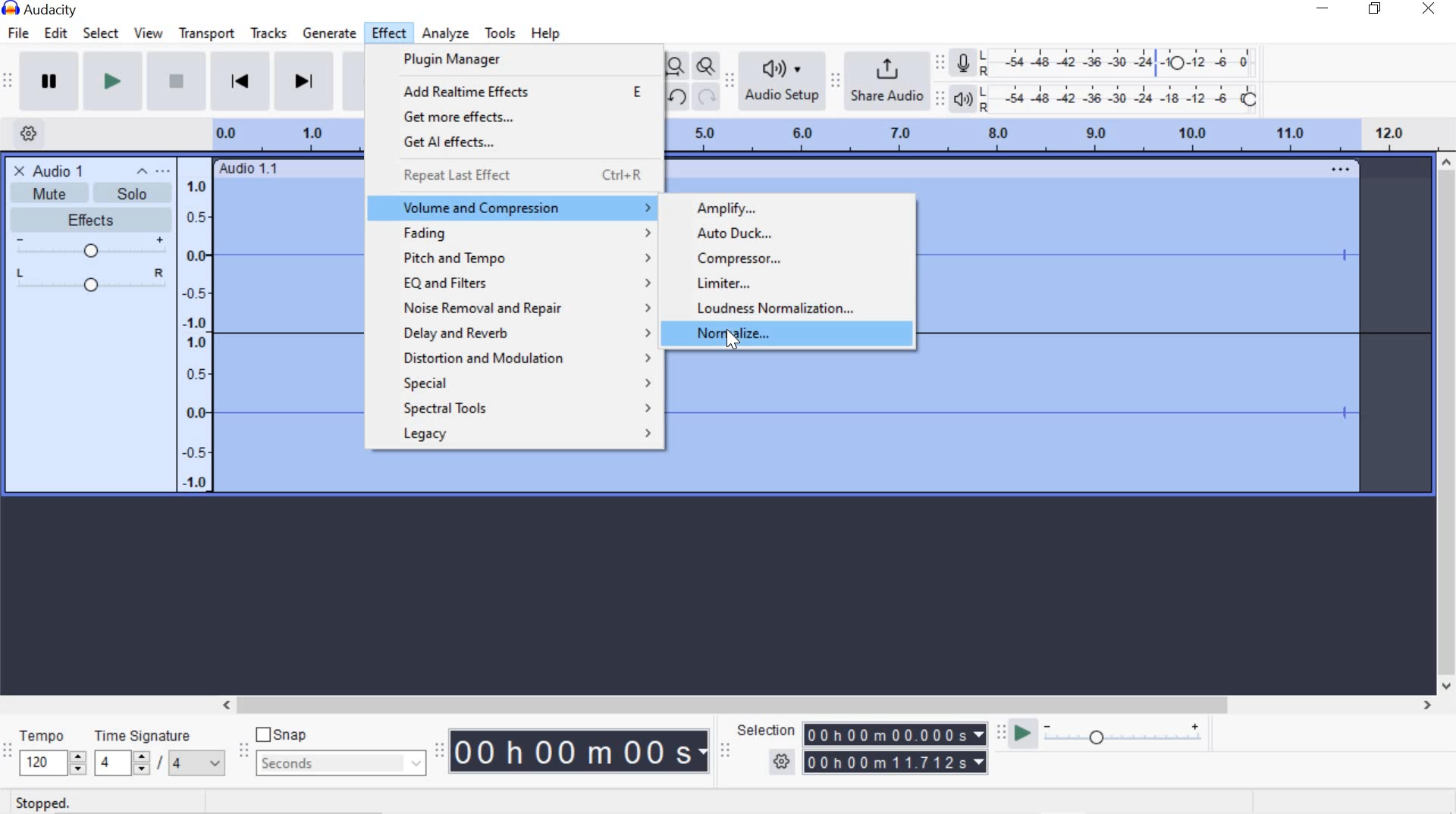 This screenshot has width=1456, height=814. Describe the element at coordinates (1018, 734) in the screenshot. I see `Play-at-speed` at that location.